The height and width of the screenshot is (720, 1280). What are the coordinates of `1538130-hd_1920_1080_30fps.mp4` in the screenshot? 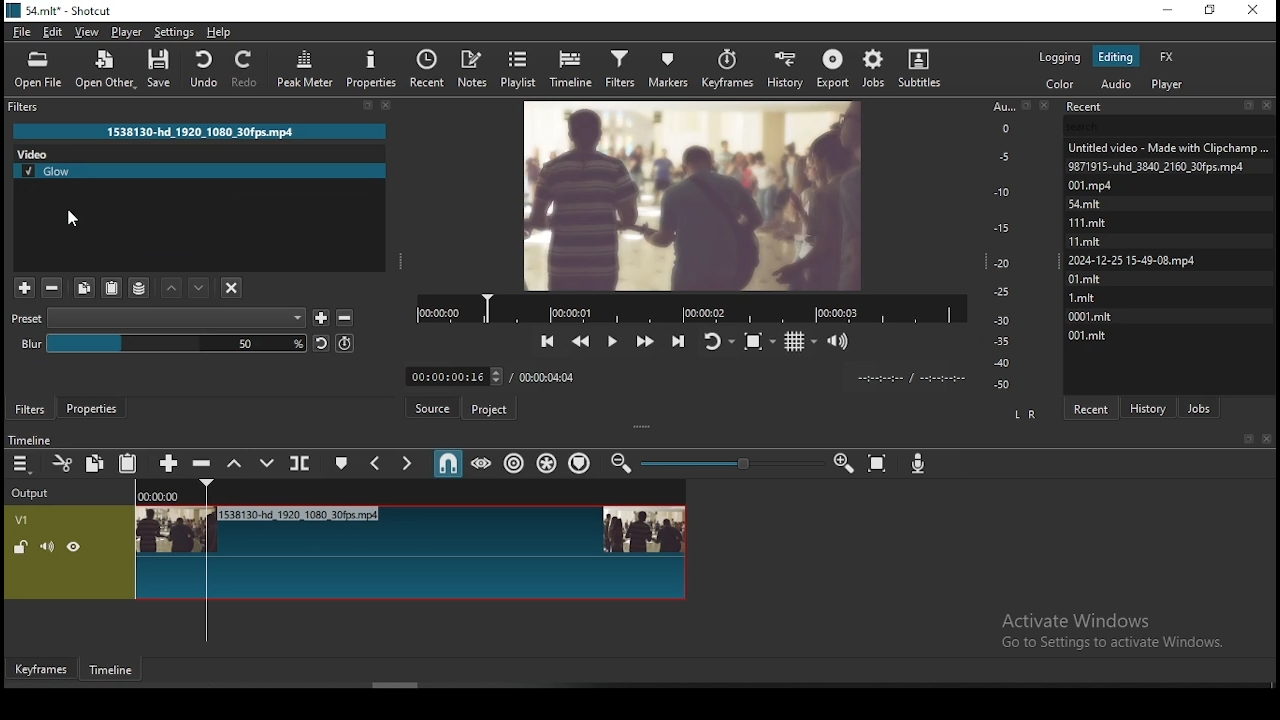 It's located at (201, 131).